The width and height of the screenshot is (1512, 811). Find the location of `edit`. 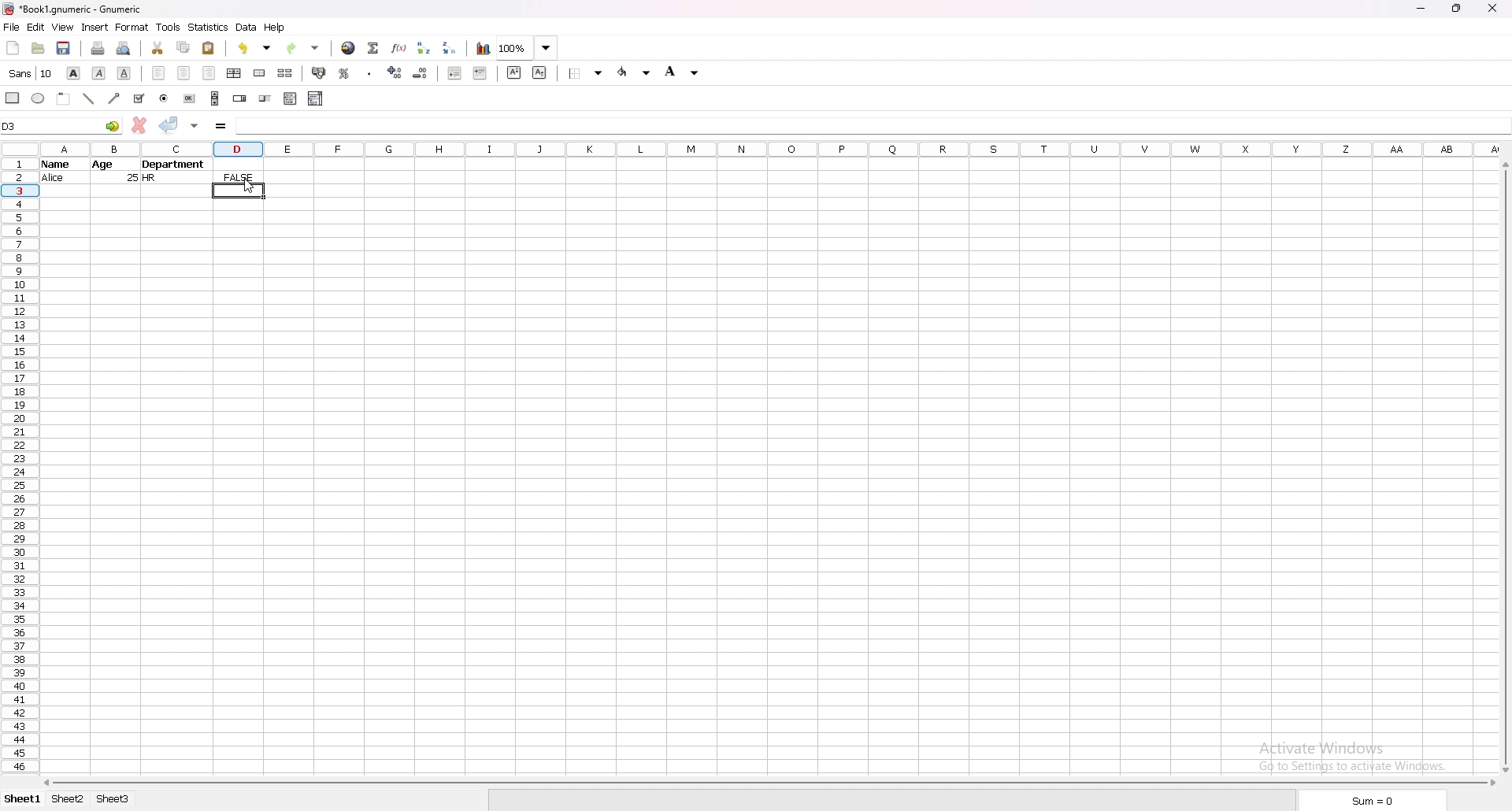

edit is located at coordinates (36, 27).